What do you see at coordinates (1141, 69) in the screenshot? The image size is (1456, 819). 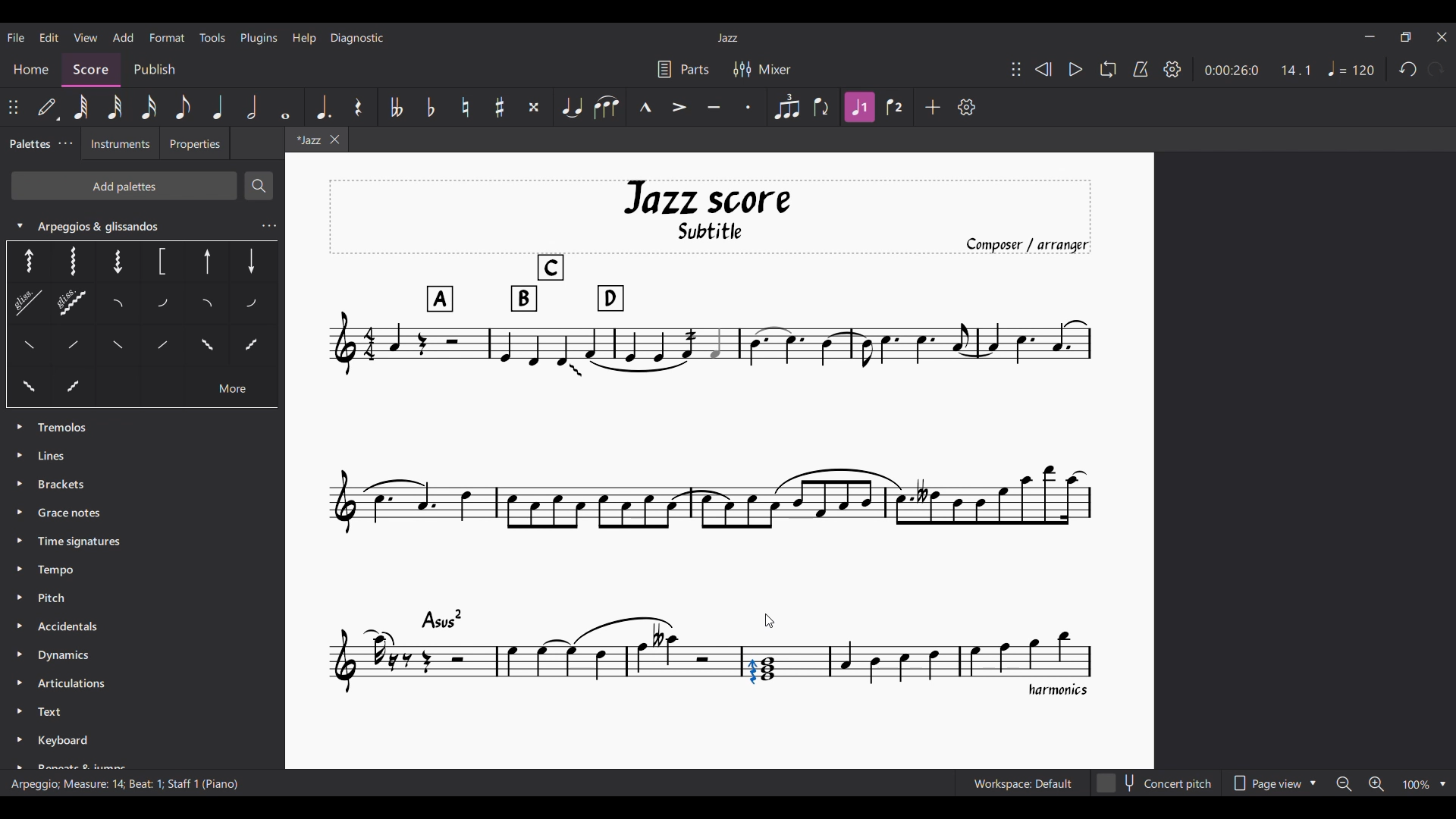 I see `Metronome` at bounding box center [1141, 69].